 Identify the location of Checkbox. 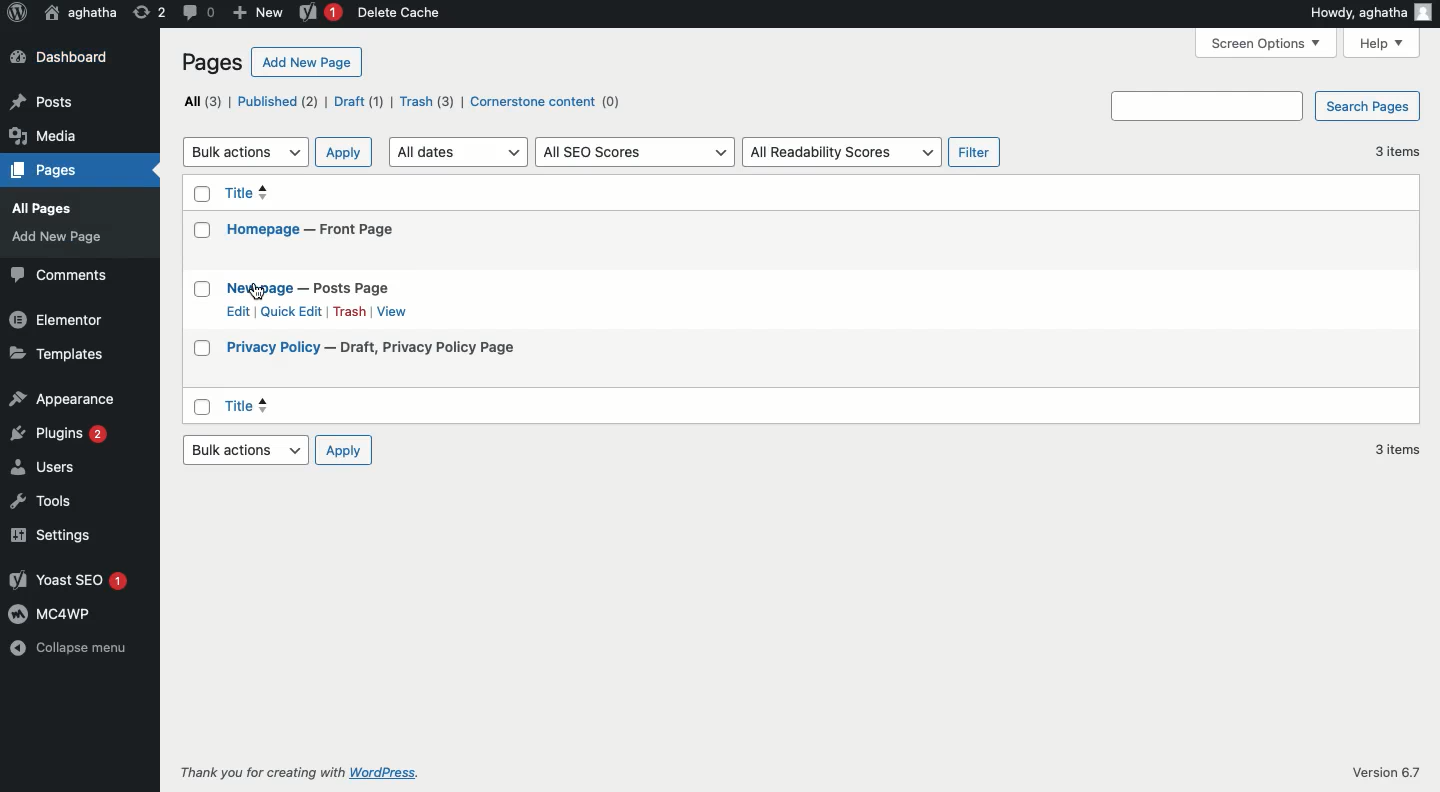
(199, 231).